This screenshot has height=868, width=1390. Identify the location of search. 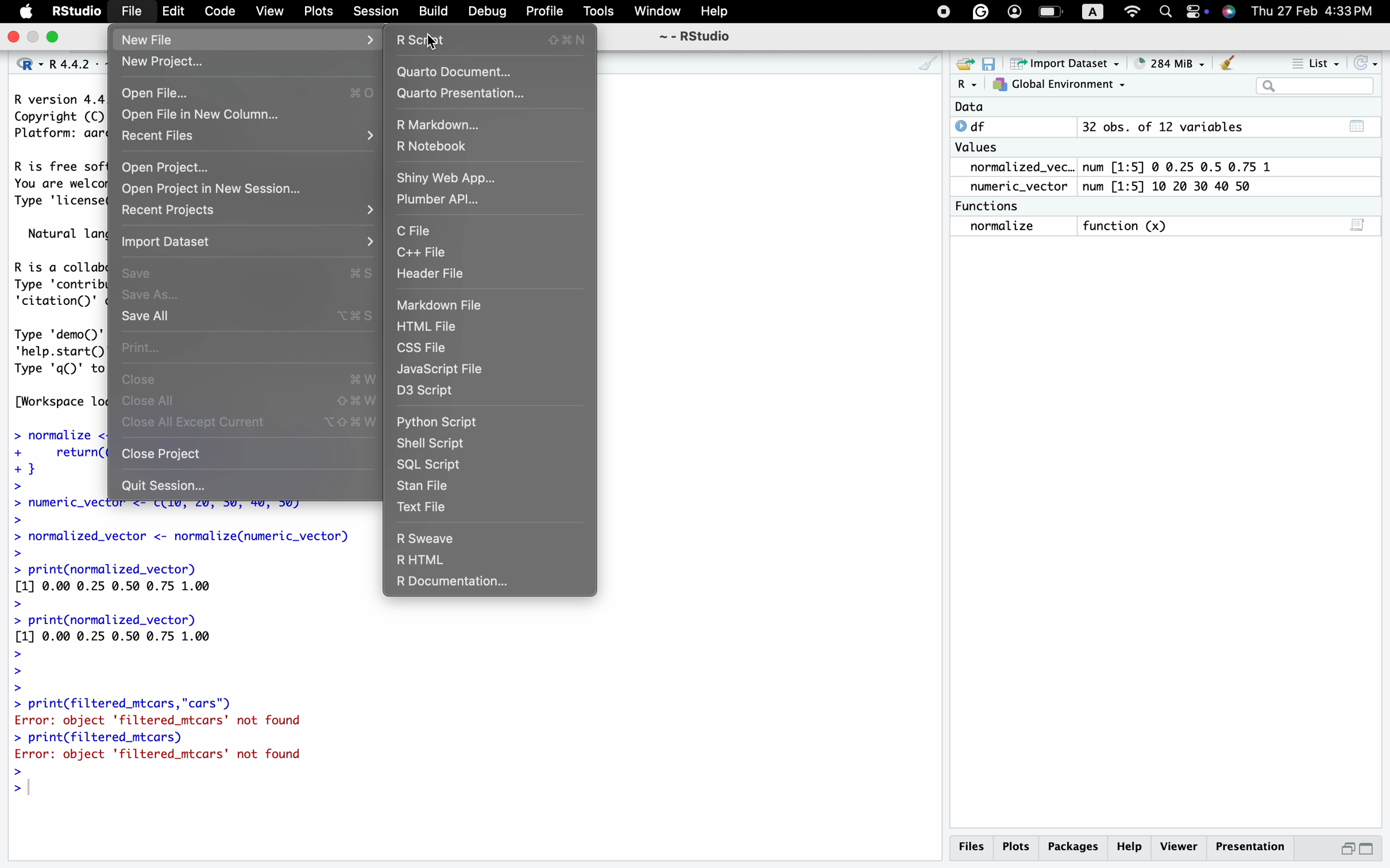
(1166, 13).